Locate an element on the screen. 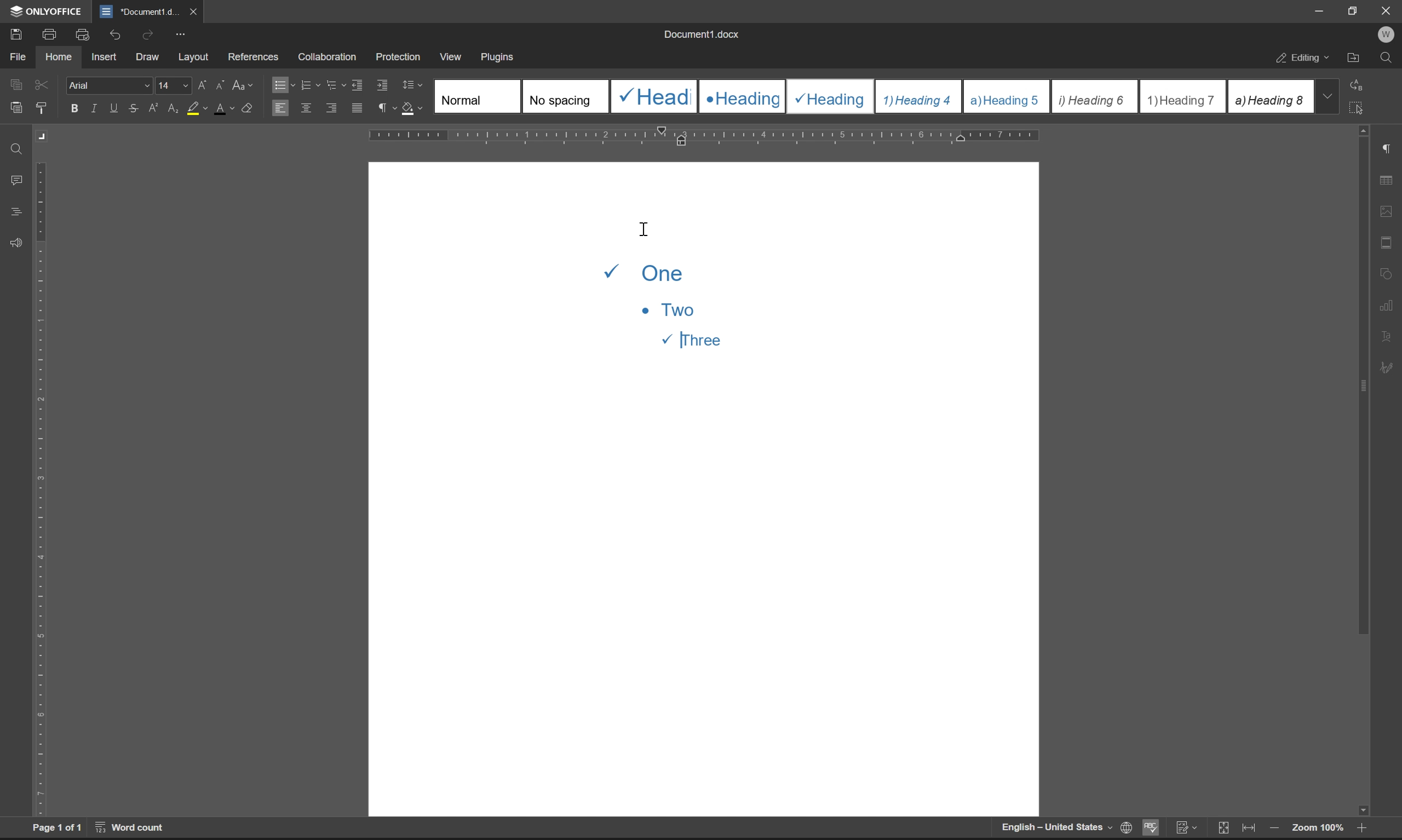 The height and width of the screenshot is (840, 1402). bold is located at coordinates (75, 109).